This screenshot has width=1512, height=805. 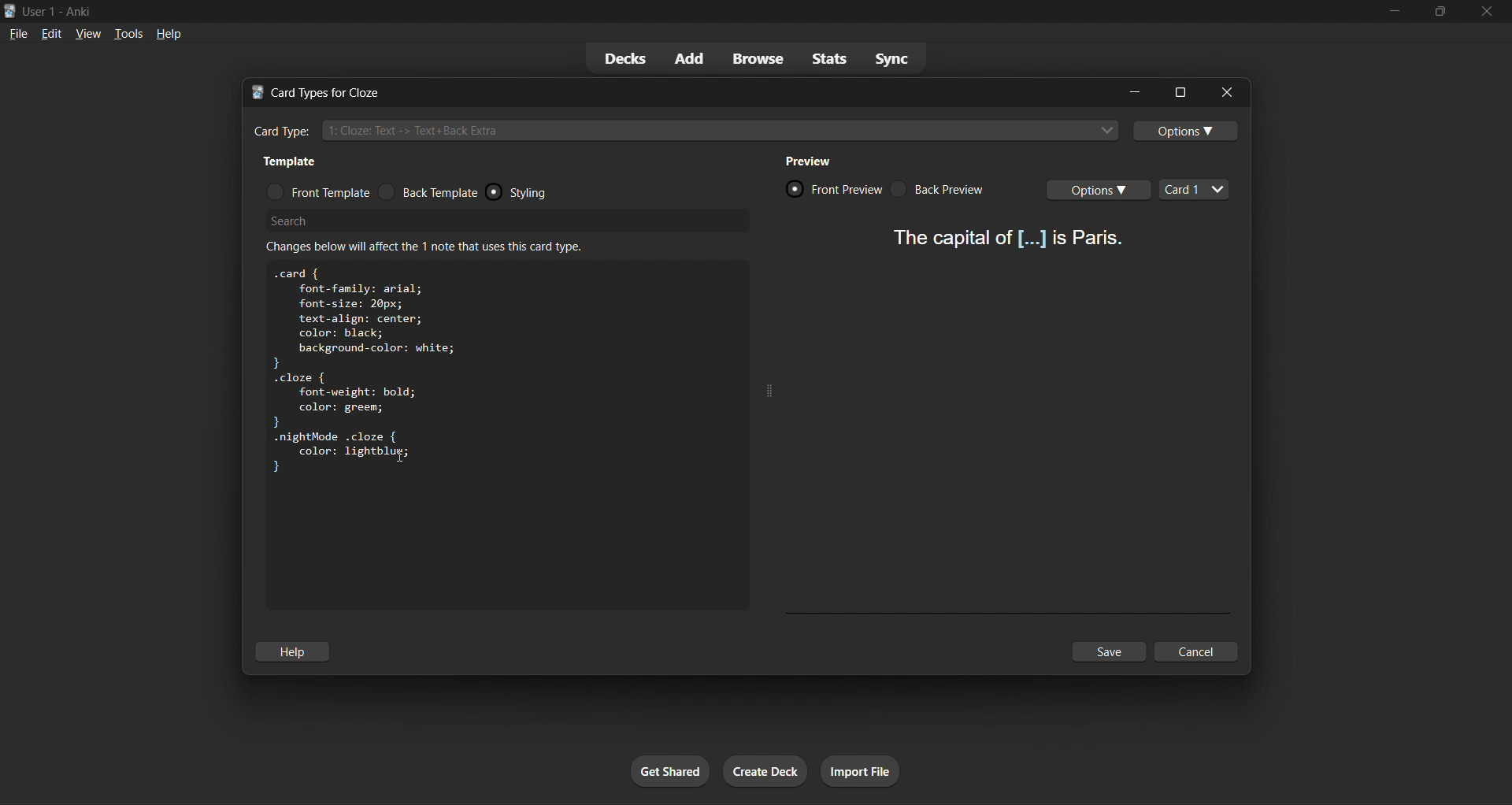 I want to click on close, so click(x=1485, y=10).